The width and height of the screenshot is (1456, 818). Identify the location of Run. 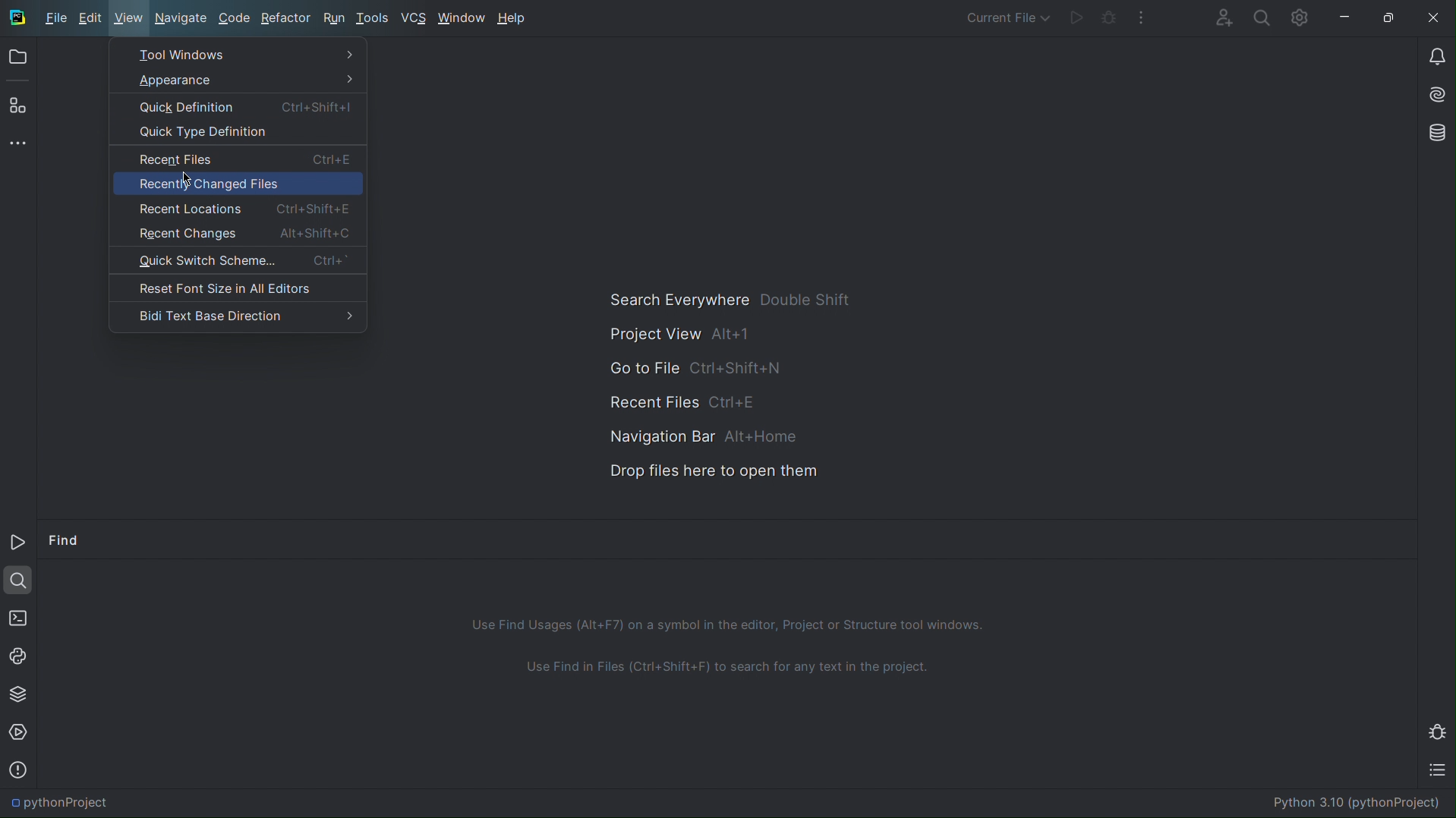
(332, 19).